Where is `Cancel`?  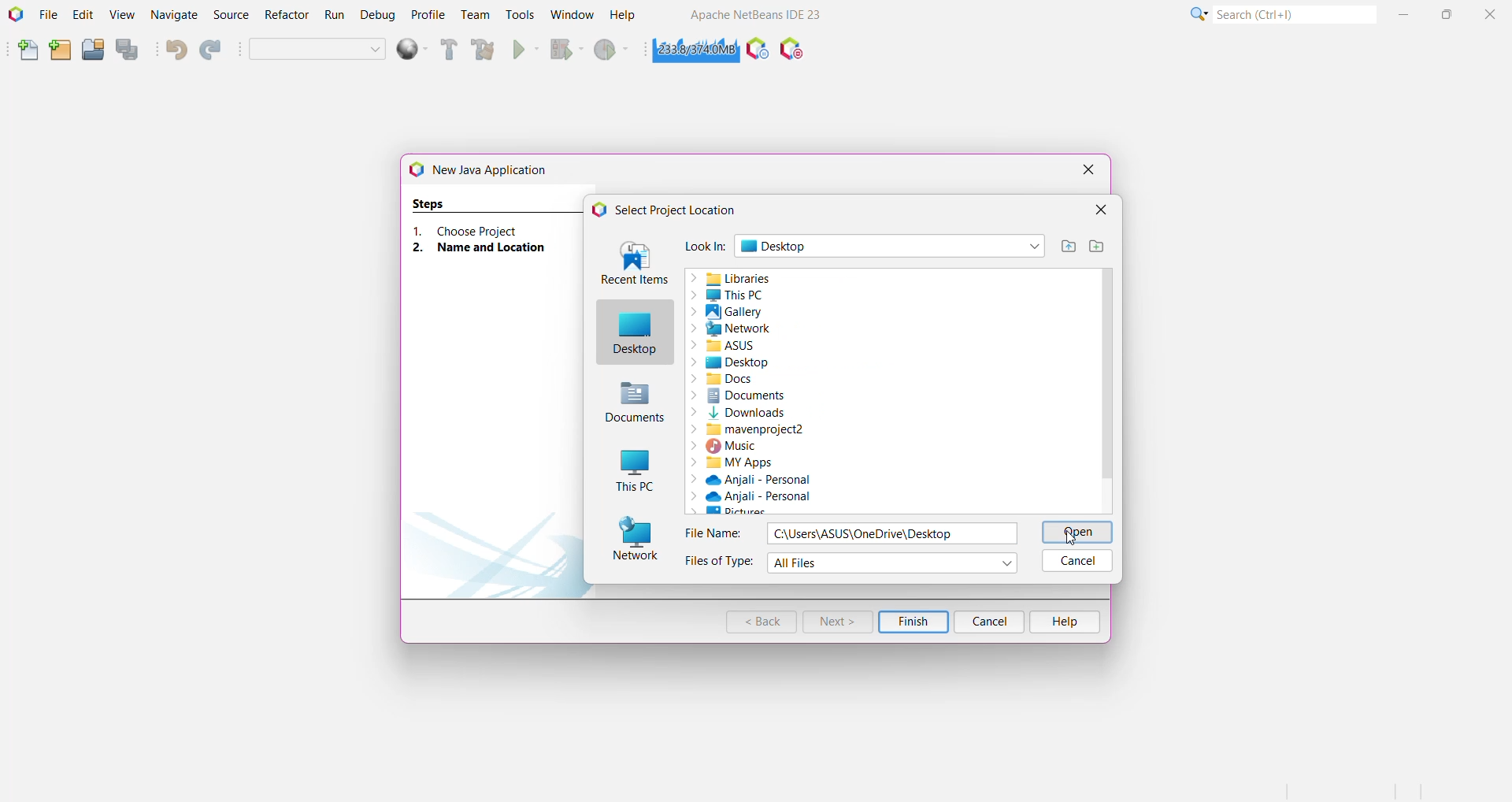 Cancel is located at coordinates (991, 622).